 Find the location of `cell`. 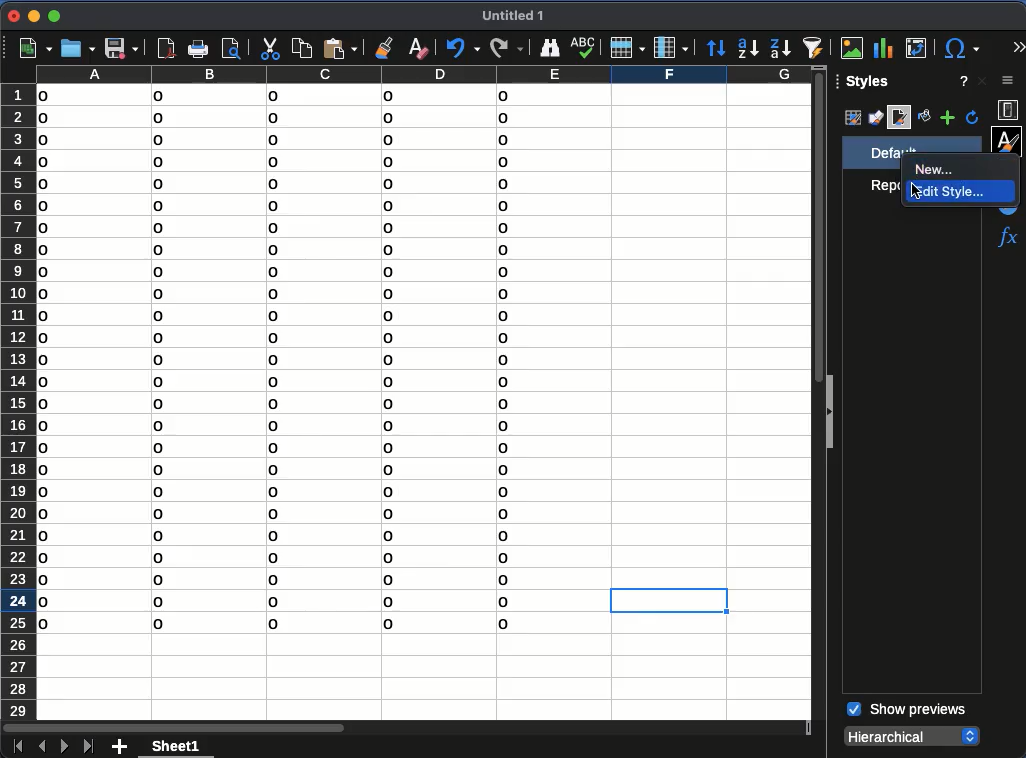

cell is located at coordinates (666, 602).